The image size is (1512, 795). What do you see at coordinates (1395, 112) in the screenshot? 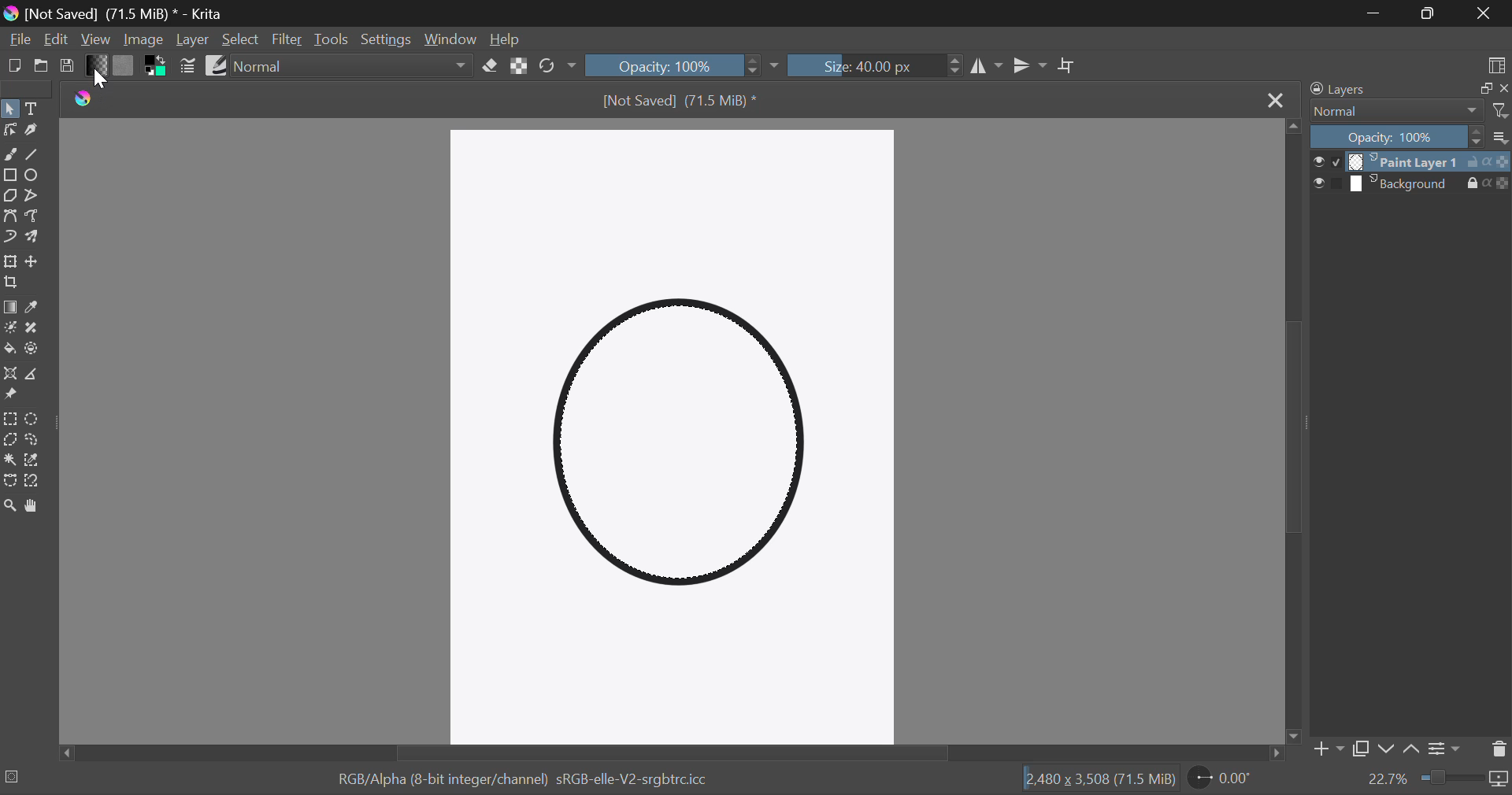
I see `Normal` at bounding box center [1395, 112].